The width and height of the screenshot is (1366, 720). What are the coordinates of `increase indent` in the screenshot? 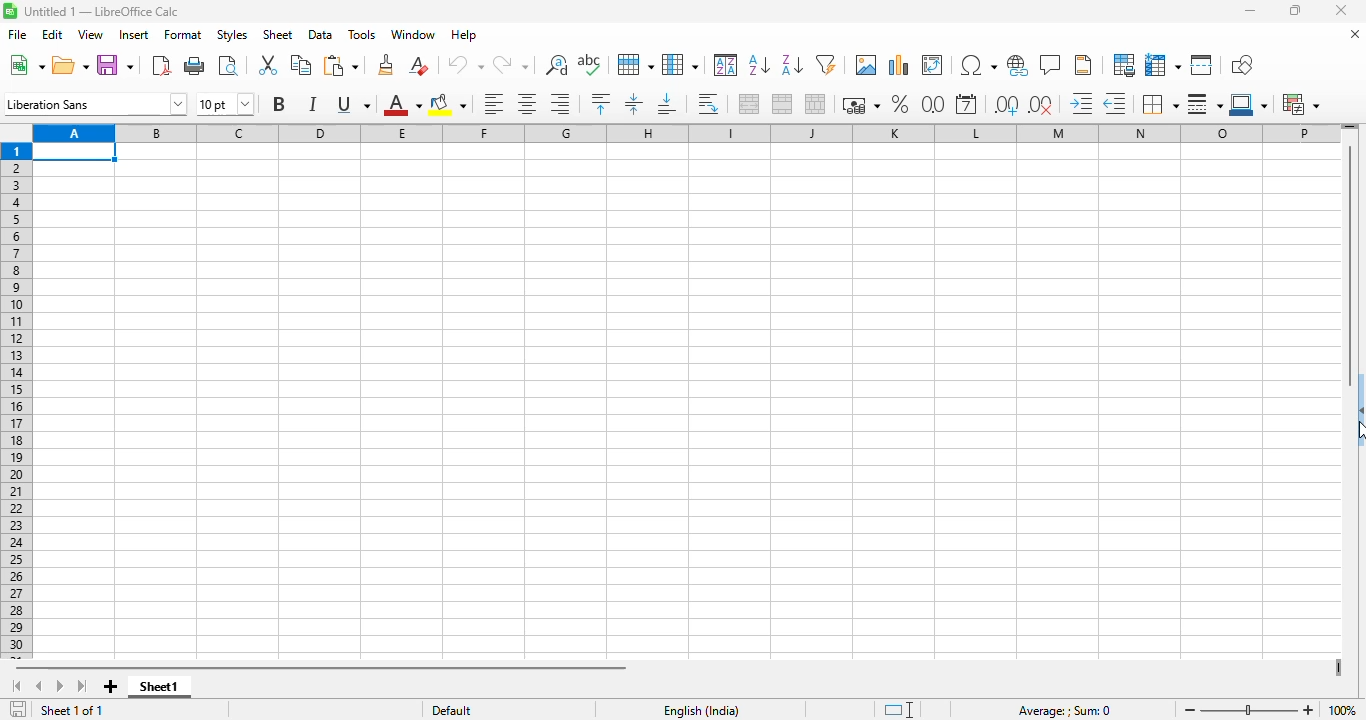 It's located at (1080, 103).